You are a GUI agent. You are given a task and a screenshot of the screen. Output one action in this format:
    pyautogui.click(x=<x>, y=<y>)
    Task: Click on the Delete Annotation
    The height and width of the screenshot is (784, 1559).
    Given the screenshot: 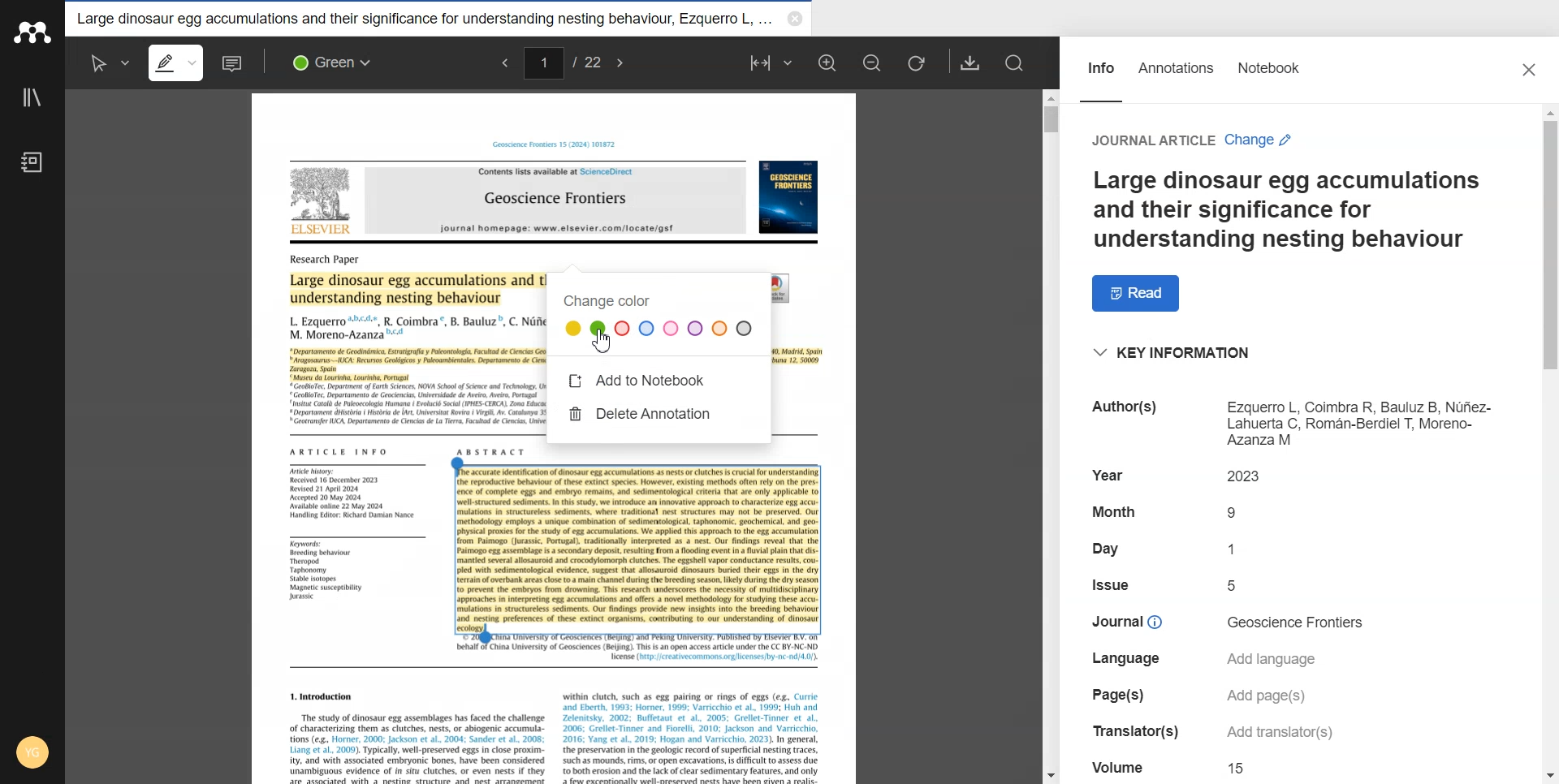 What is the action you would take?
    pyautogui.click(x=642, y=411)
    